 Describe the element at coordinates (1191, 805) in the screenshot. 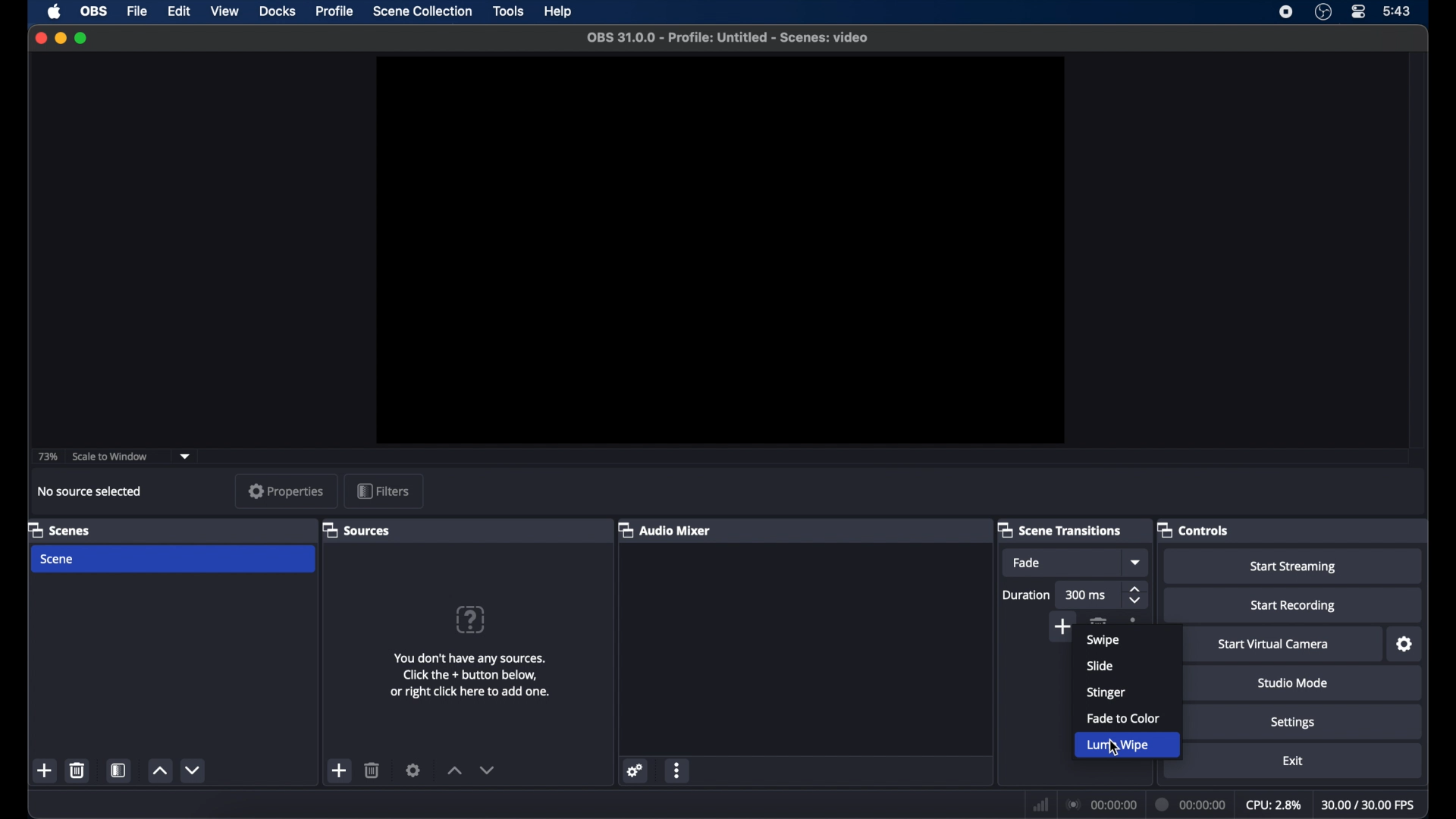

I see `duration` at that location.